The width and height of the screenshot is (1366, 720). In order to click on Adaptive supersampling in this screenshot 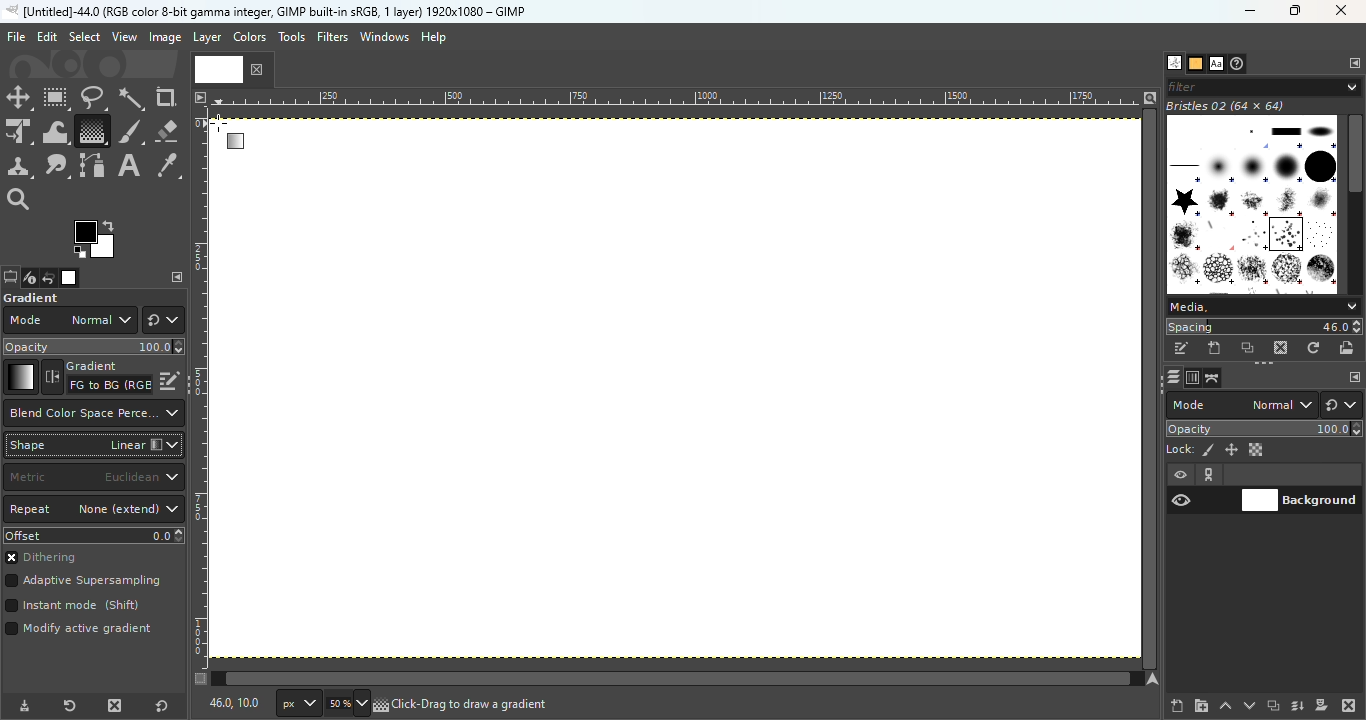, I will do `click(84, 583)`.